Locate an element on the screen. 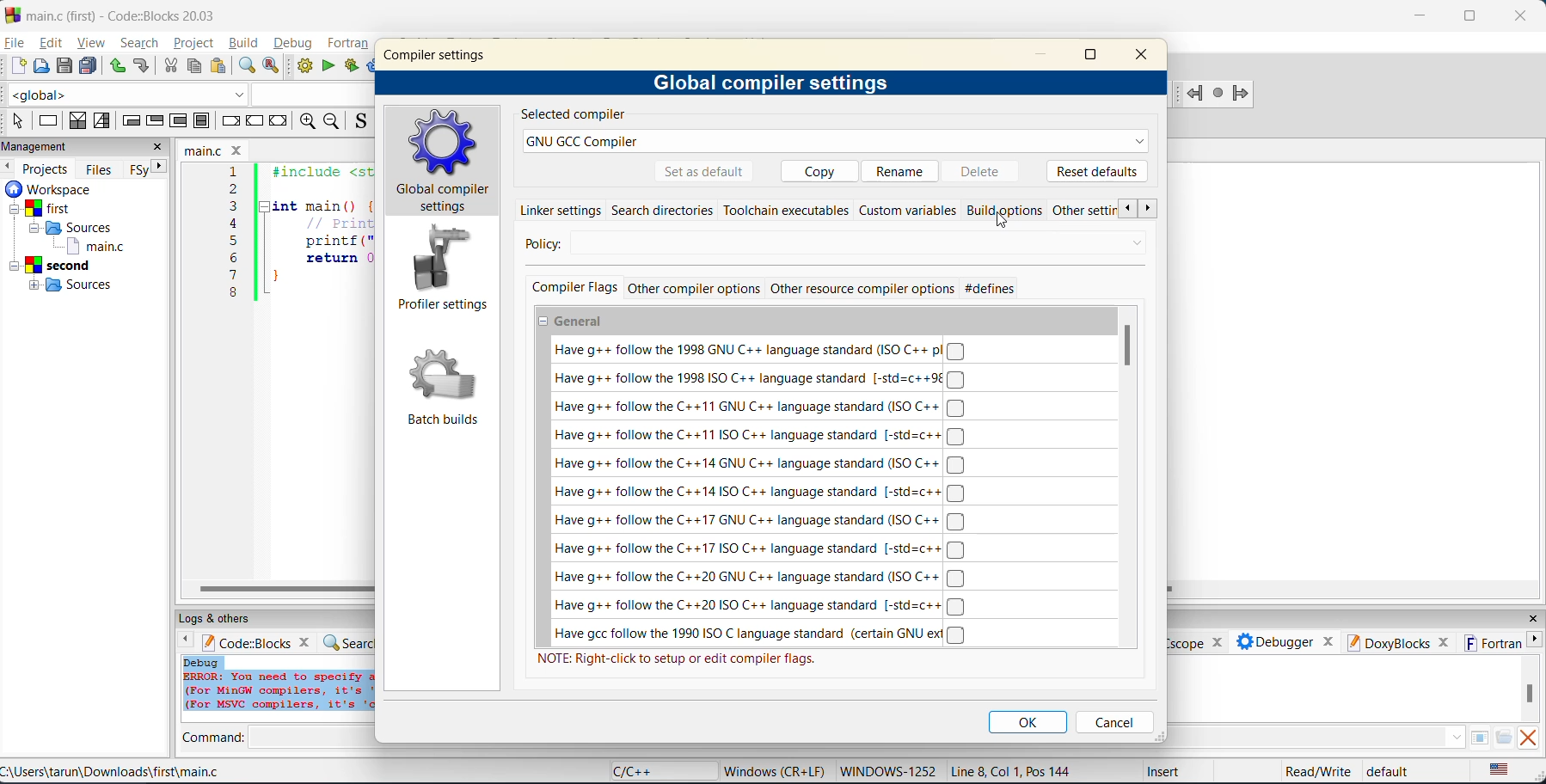  replace is located at coordinates (273, 67).